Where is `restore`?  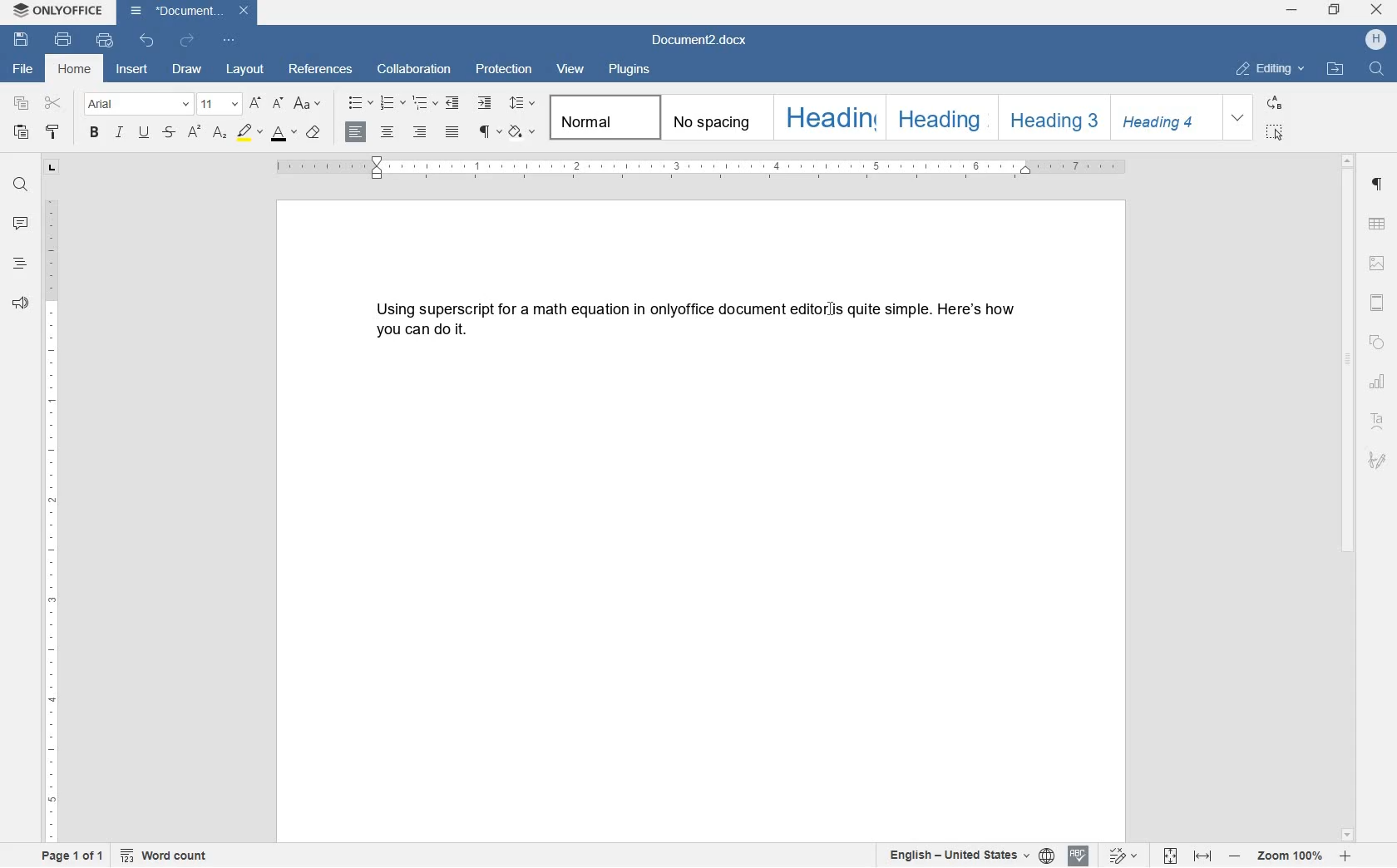 restore is located at coordinates (1335, 9).